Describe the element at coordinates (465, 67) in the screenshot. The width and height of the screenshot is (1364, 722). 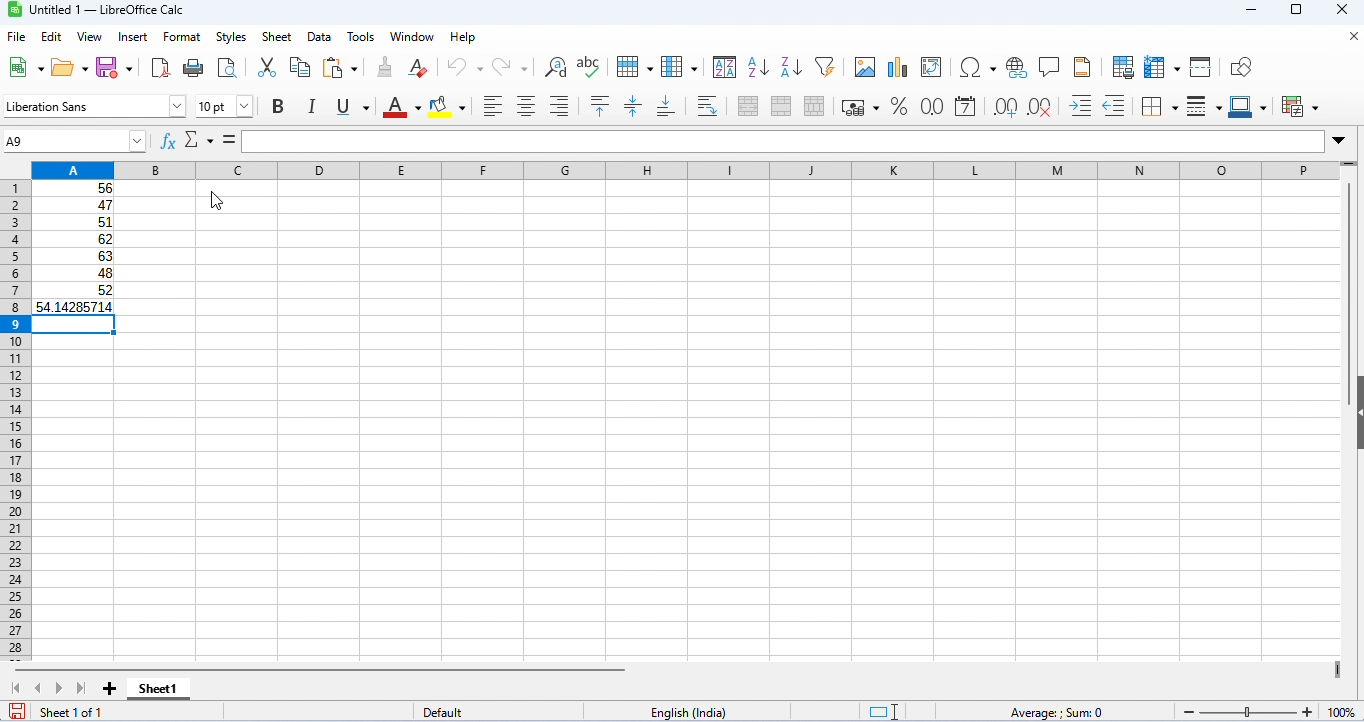
I see `undo` at that location.